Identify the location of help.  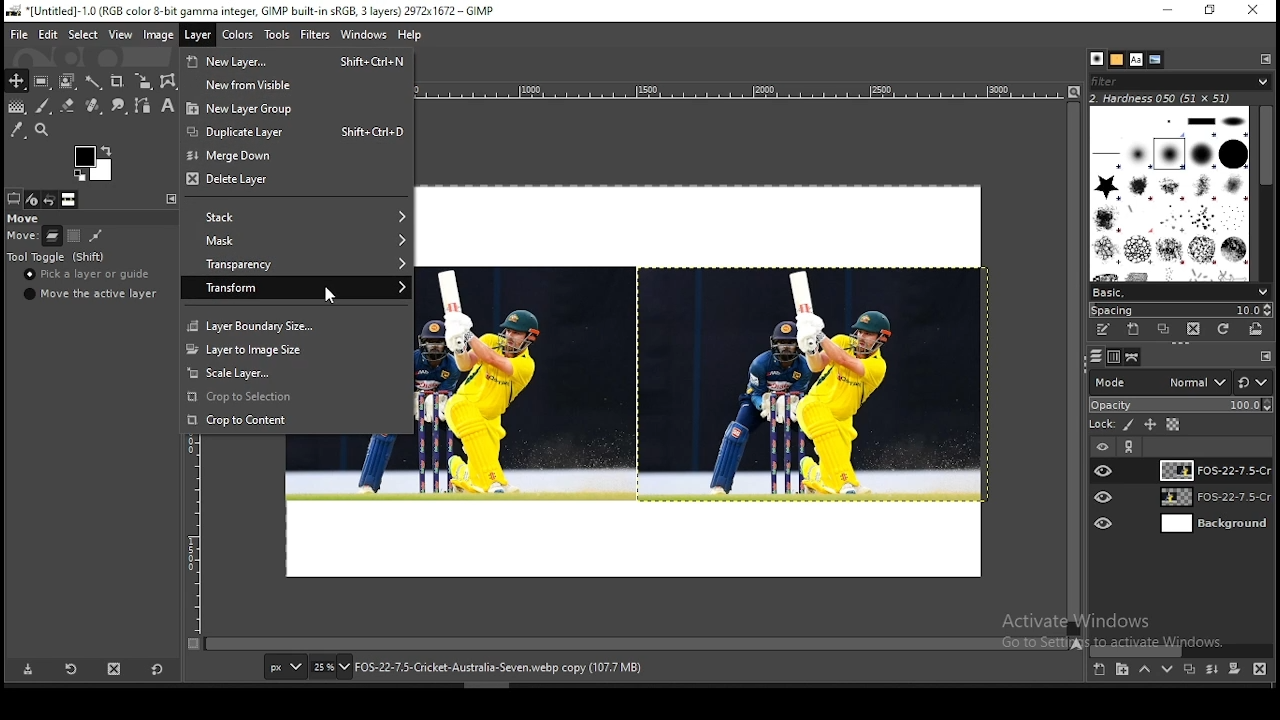
(410, 37).